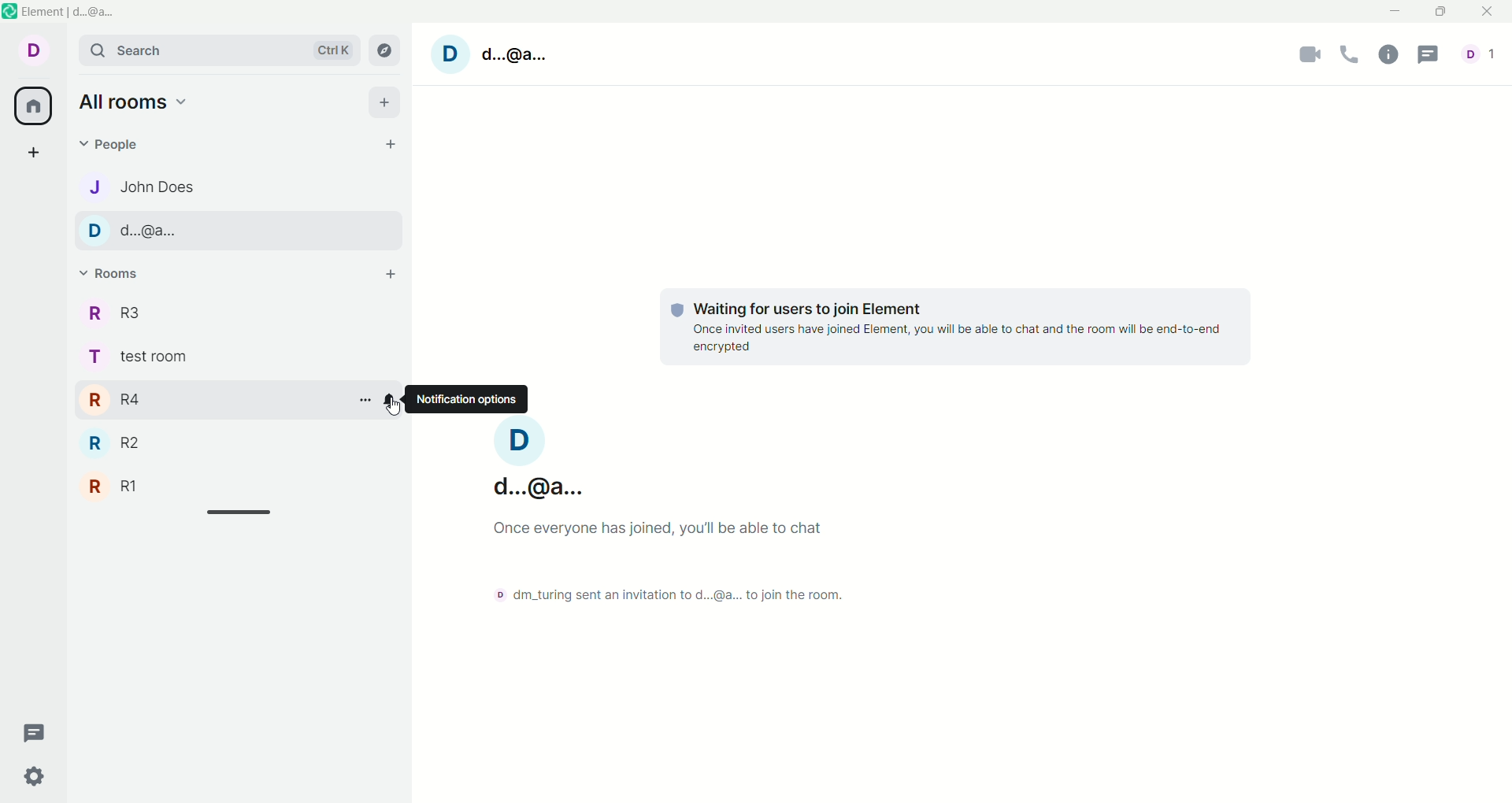 This screenshot has height=803, width=1512. Describe the element at coordinates (117, 146) in the screenshot. I see `people` at that location.